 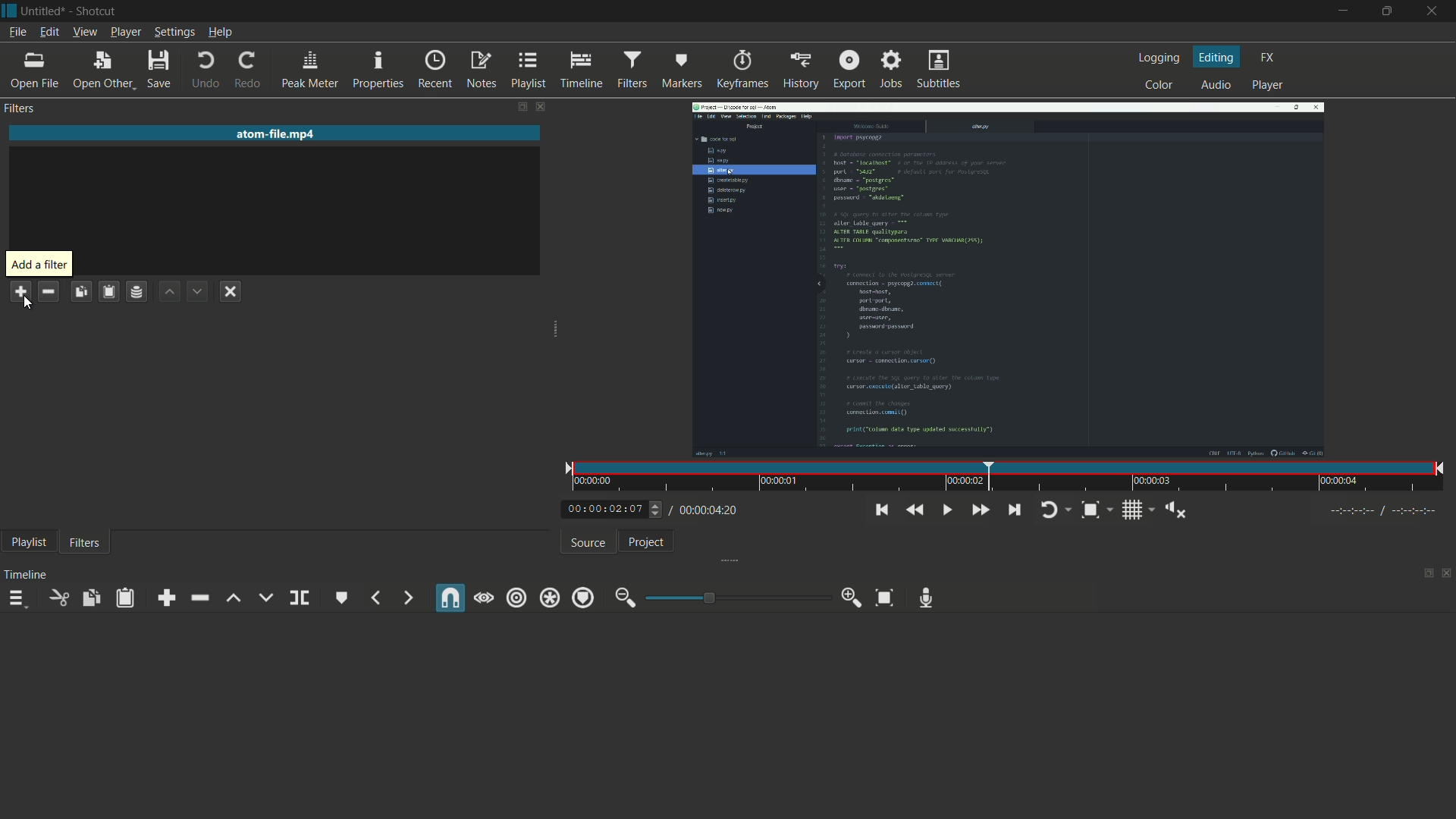 What do you see at coordinates (545, 108) in the screenshot?
I see `close filters` at bounding box center [545, 108].